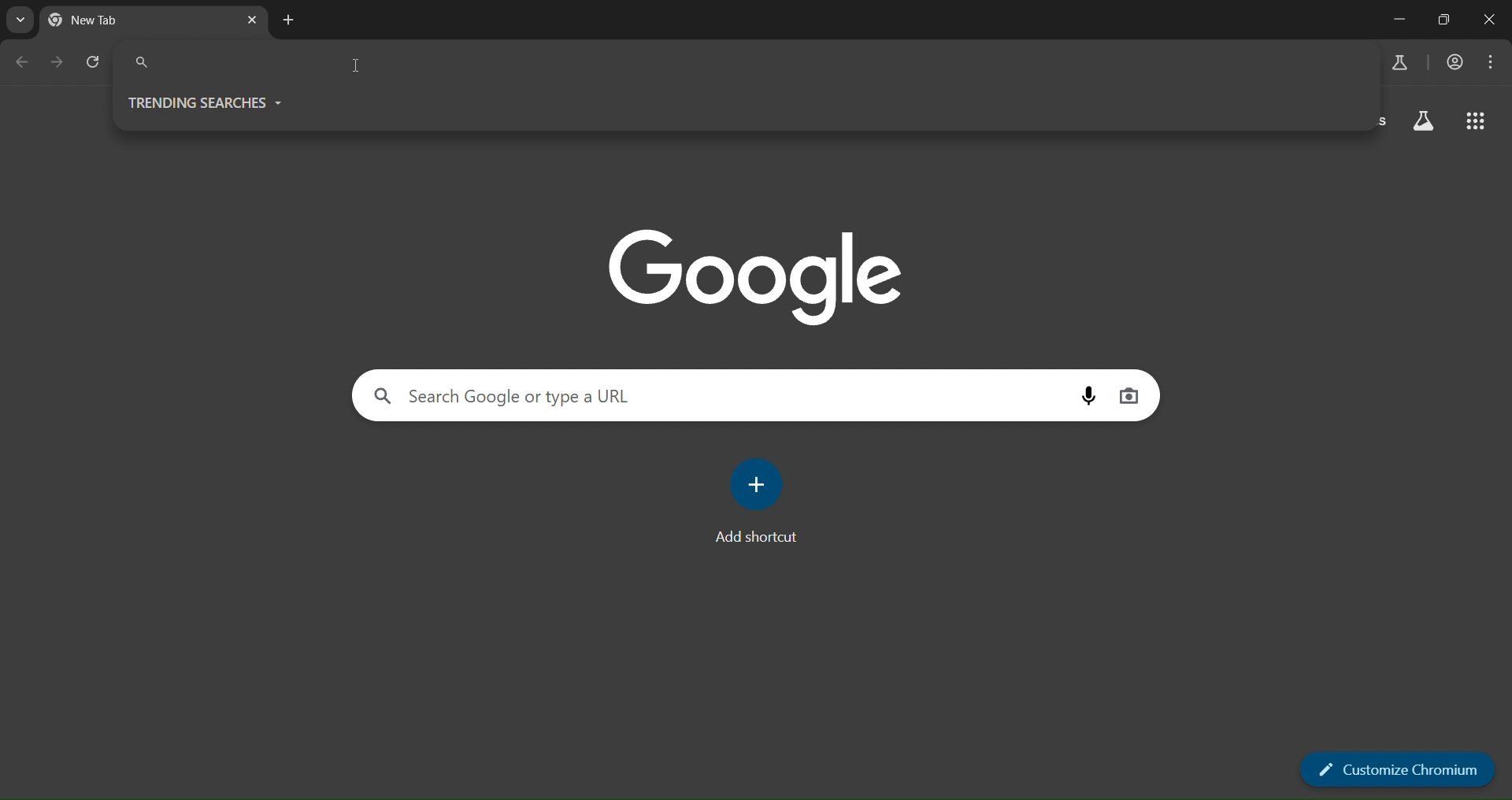 This screenshot has width=1512, height=800. What do you see at coordinates (288, 19) in the screenshot?
I see `new tab` at bounding box center [288, 19].